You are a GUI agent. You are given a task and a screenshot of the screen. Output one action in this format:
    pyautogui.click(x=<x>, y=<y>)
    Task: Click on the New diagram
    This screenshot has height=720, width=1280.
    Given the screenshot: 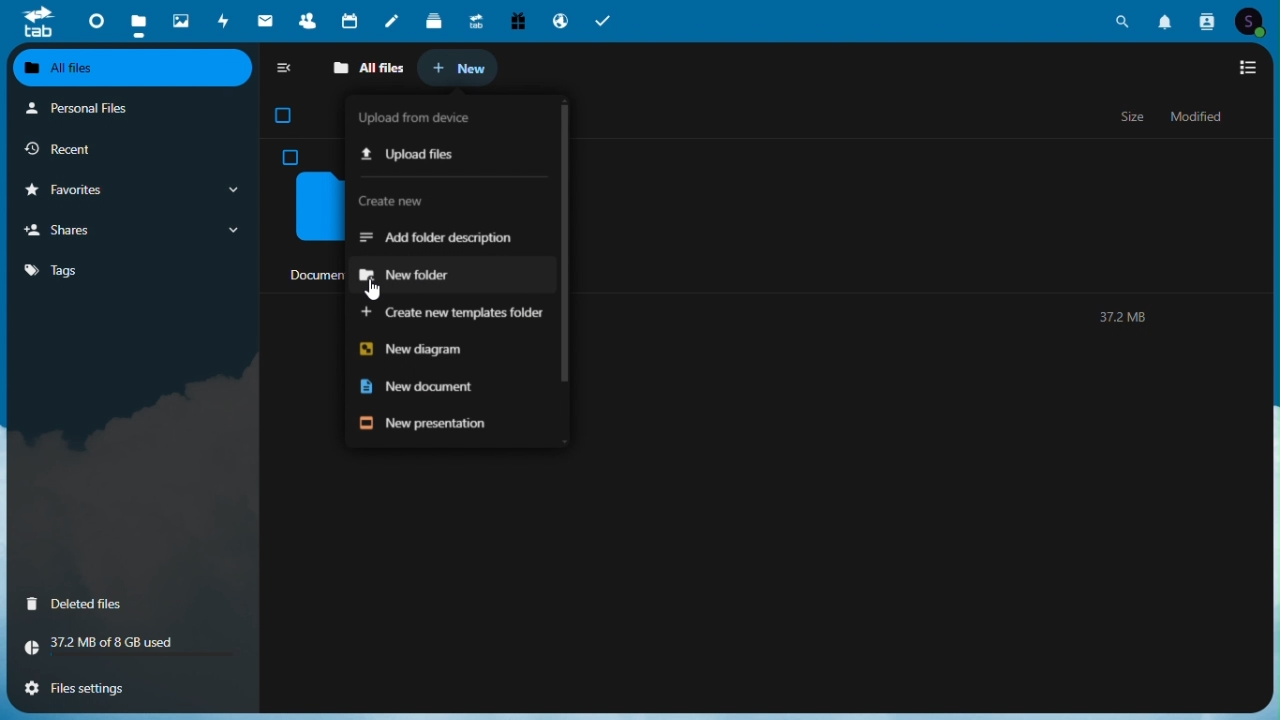 What is the action you would take?
    pyautogui.click(x=415, y=350)
    